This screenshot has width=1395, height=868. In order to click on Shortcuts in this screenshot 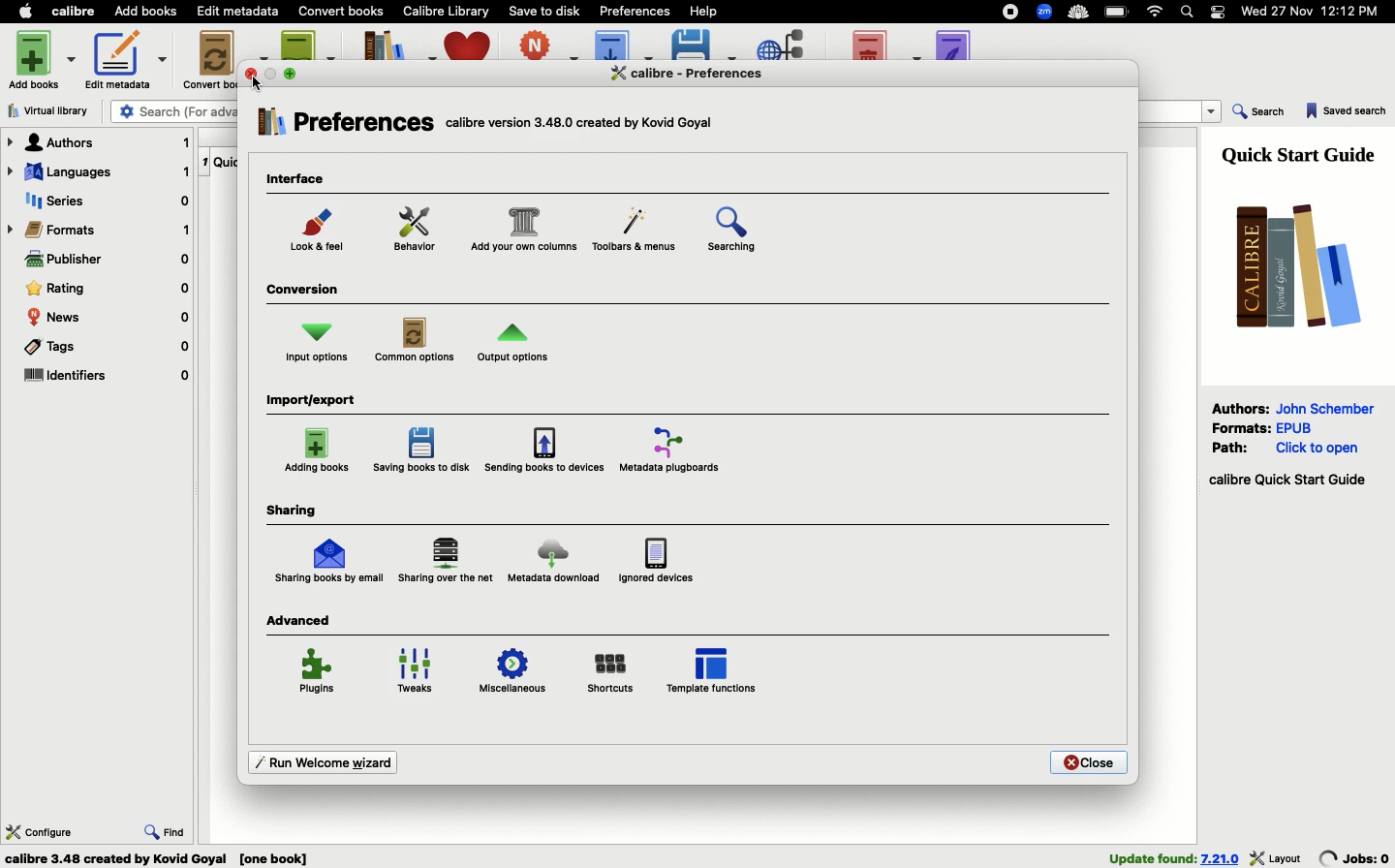, I will do `click(611, 671)`.